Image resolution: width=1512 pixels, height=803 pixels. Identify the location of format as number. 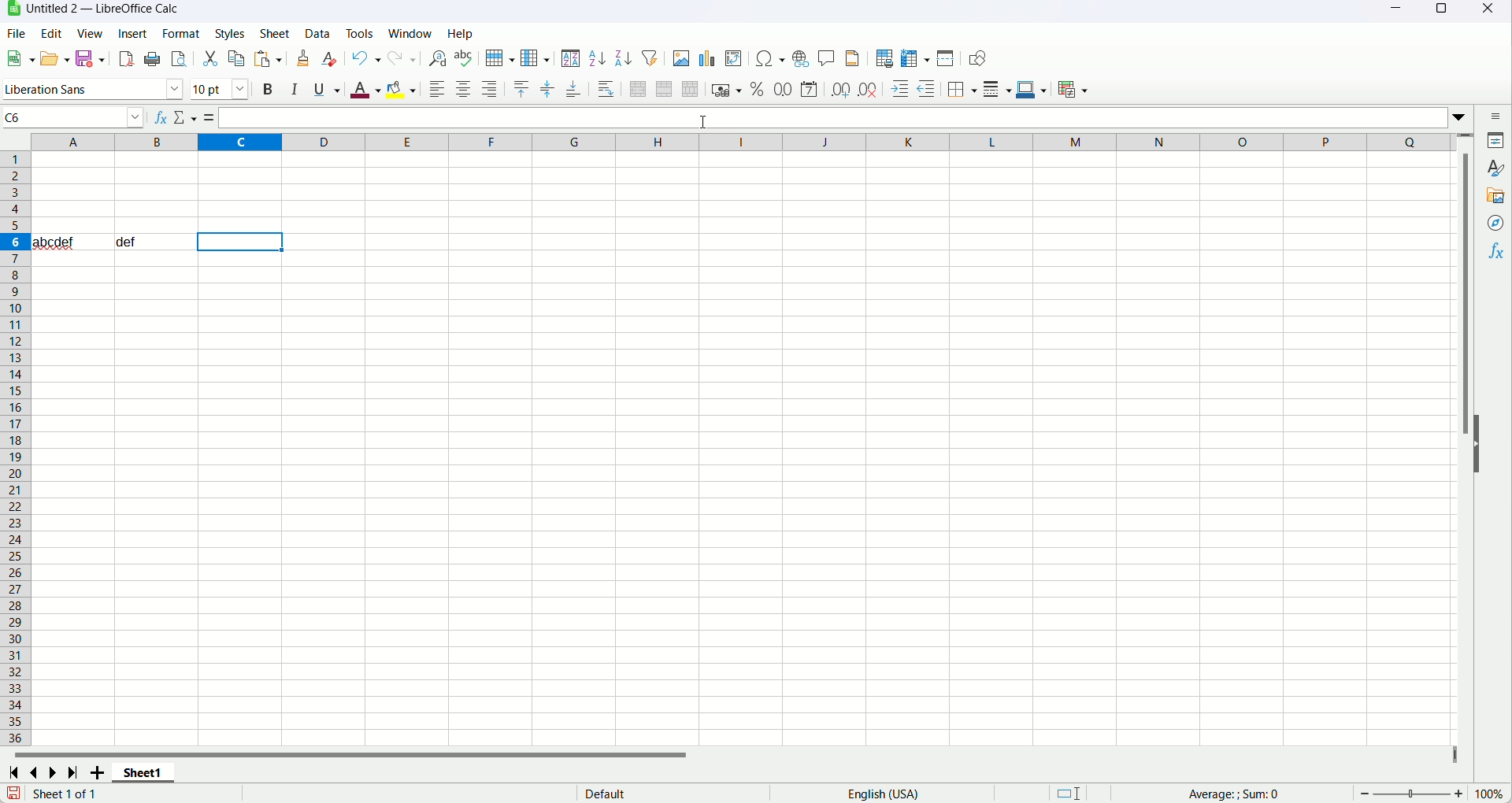
(784, 89).